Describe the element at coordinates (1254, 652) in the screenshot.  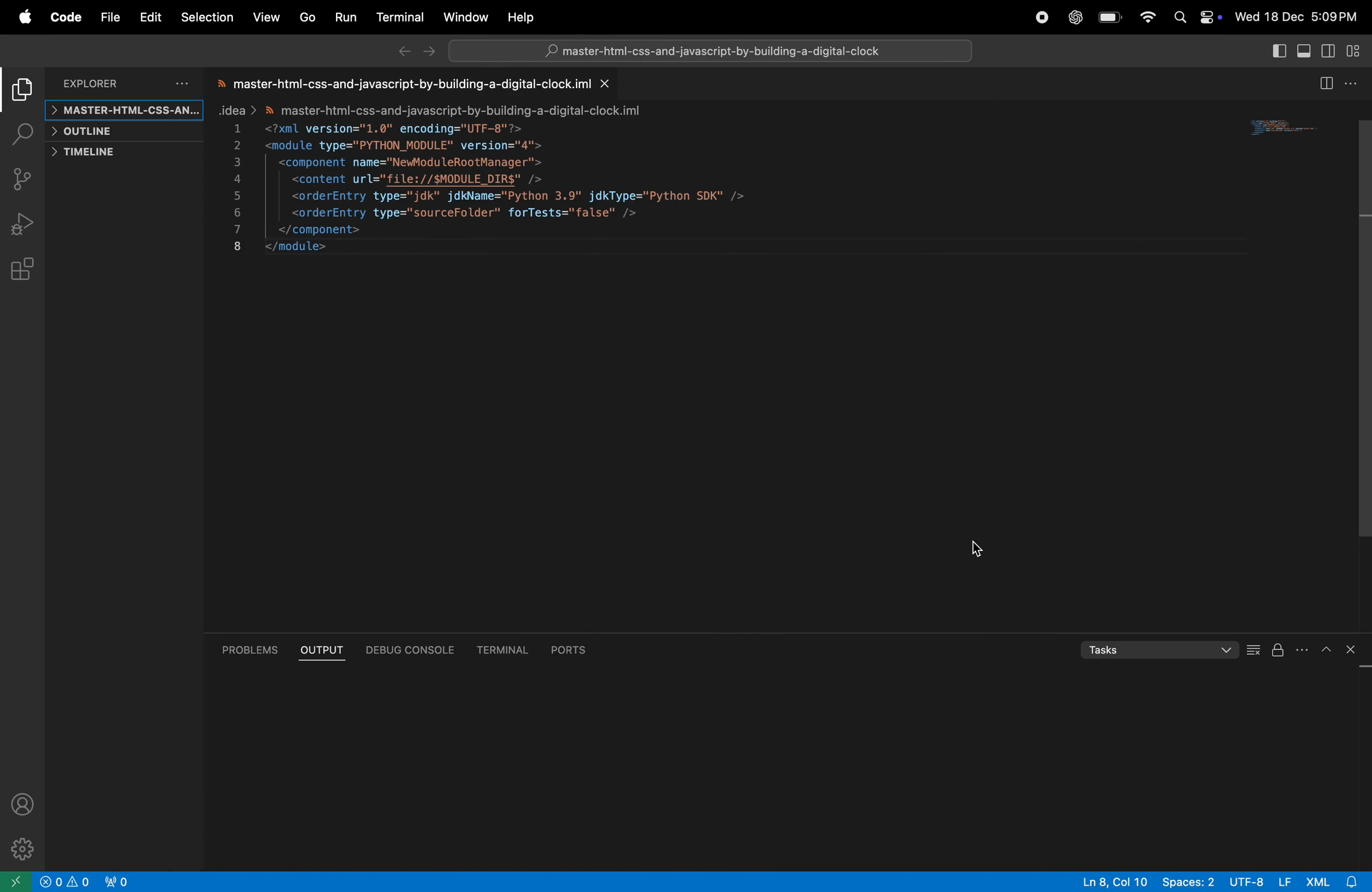
I see `bar` at that location.